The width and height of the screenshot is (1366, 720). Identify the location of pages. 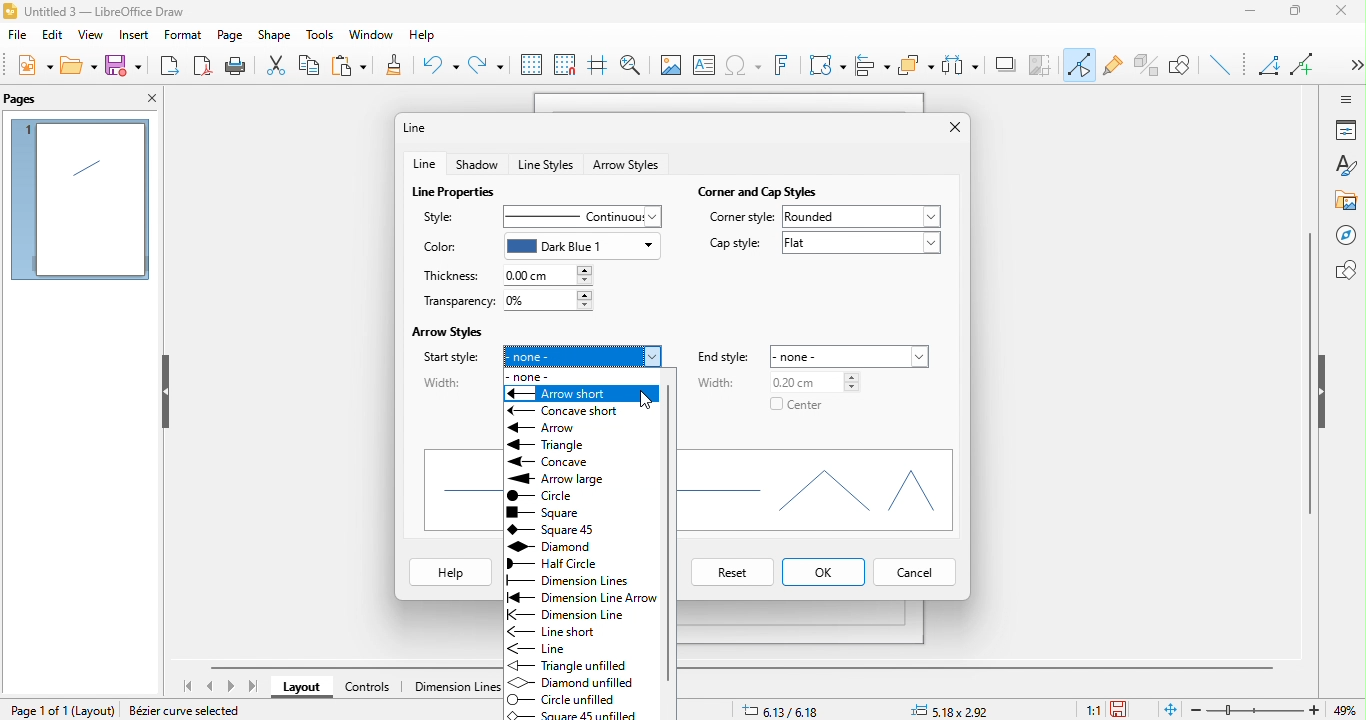
(36, 98).